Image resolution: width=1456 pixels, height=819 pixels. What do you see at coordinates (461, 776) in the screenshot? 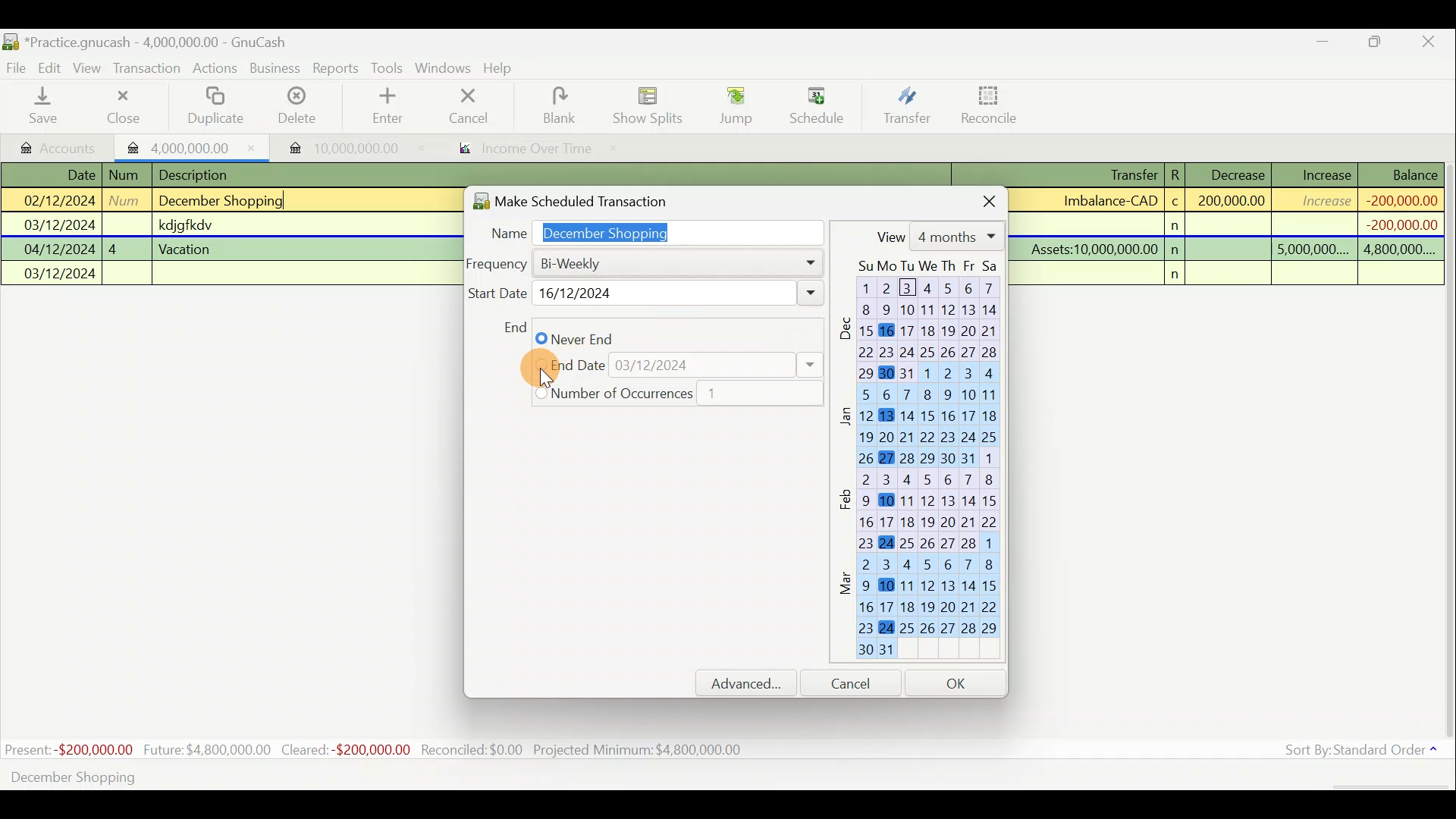
I see `Create a scheduled transaction` at bounding box center [461, 776].